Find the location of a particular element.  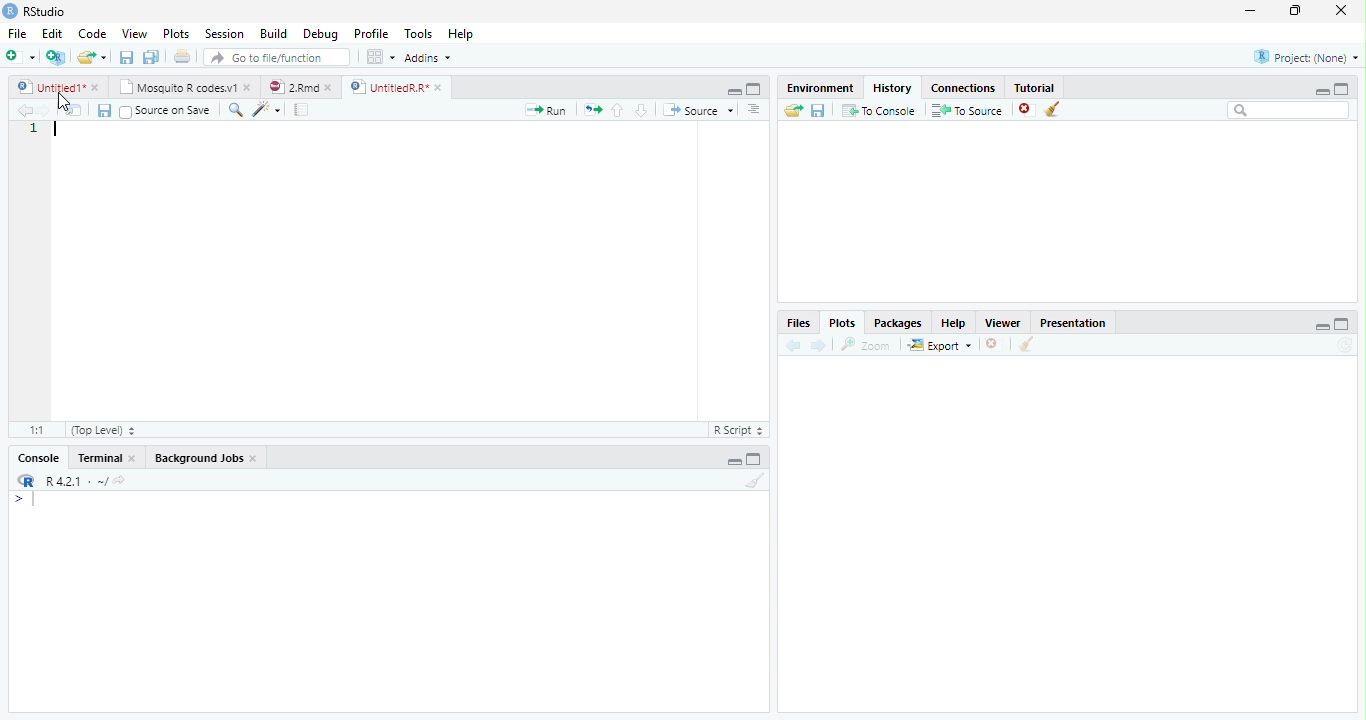

Load history from an existing file is located at coordinates (793, 111).